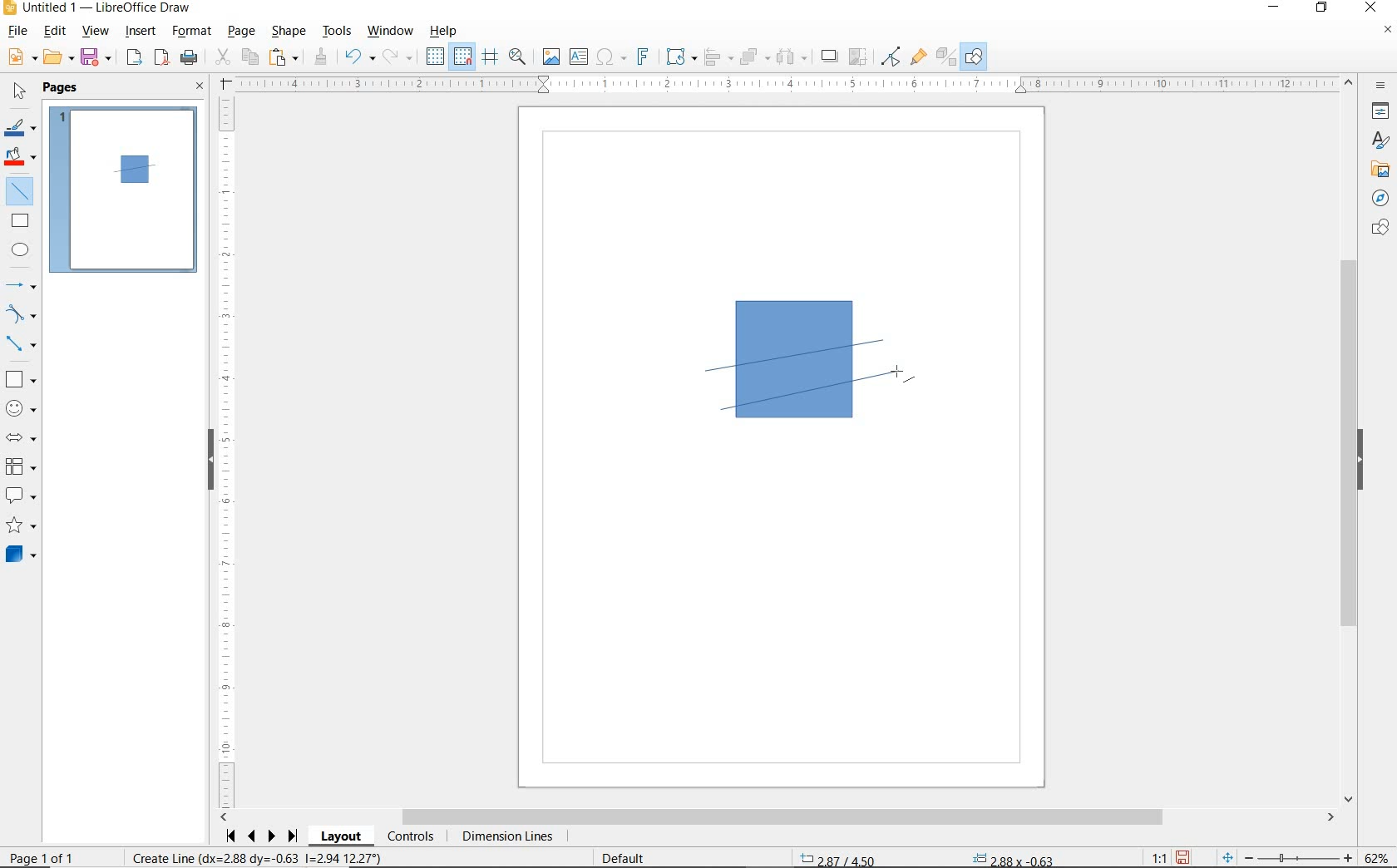  Describe the element at coordinates (24, 466) in the screenshot. I see `FLOWCHART` at that location.